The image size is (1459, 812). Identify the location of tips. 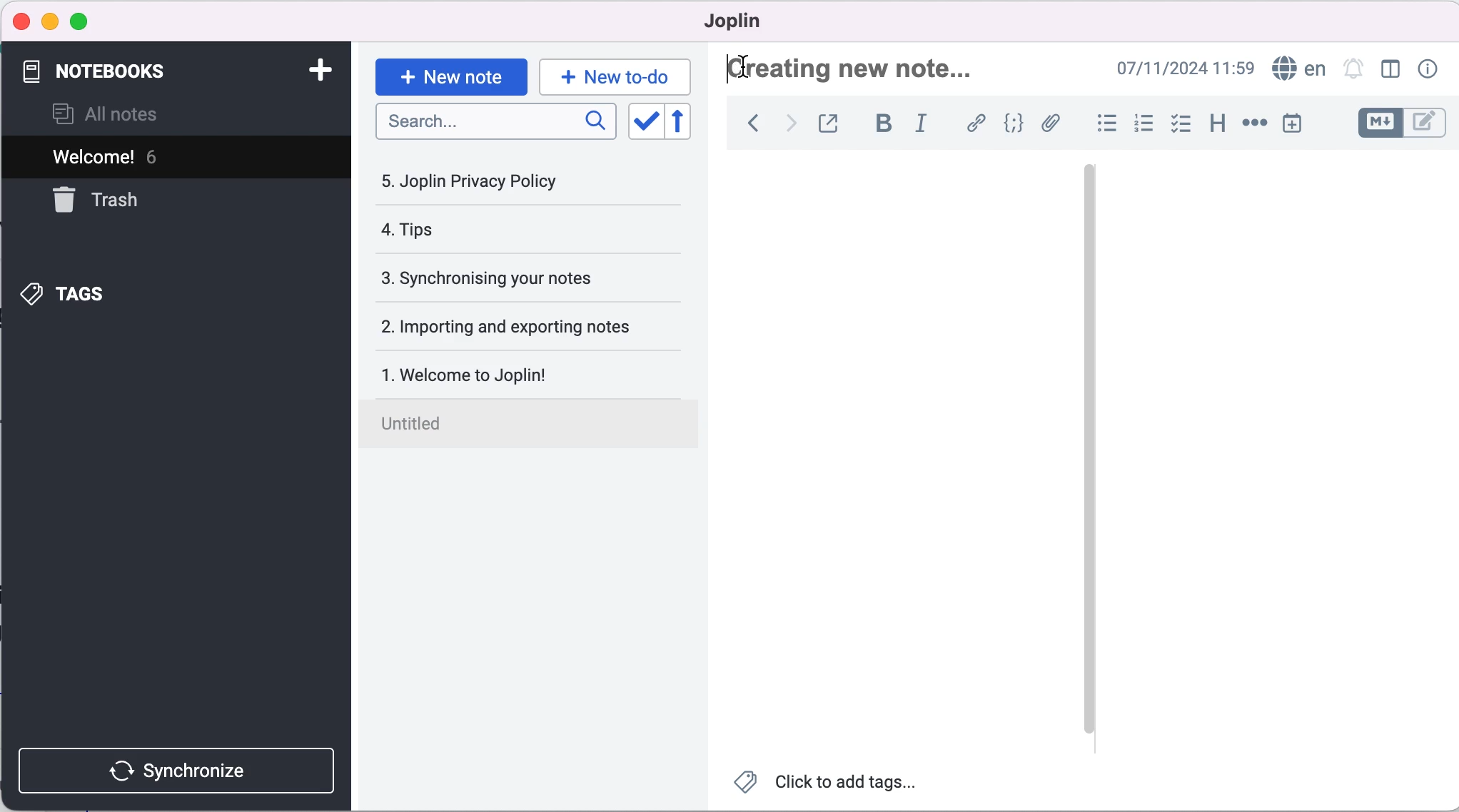
(490, 231).